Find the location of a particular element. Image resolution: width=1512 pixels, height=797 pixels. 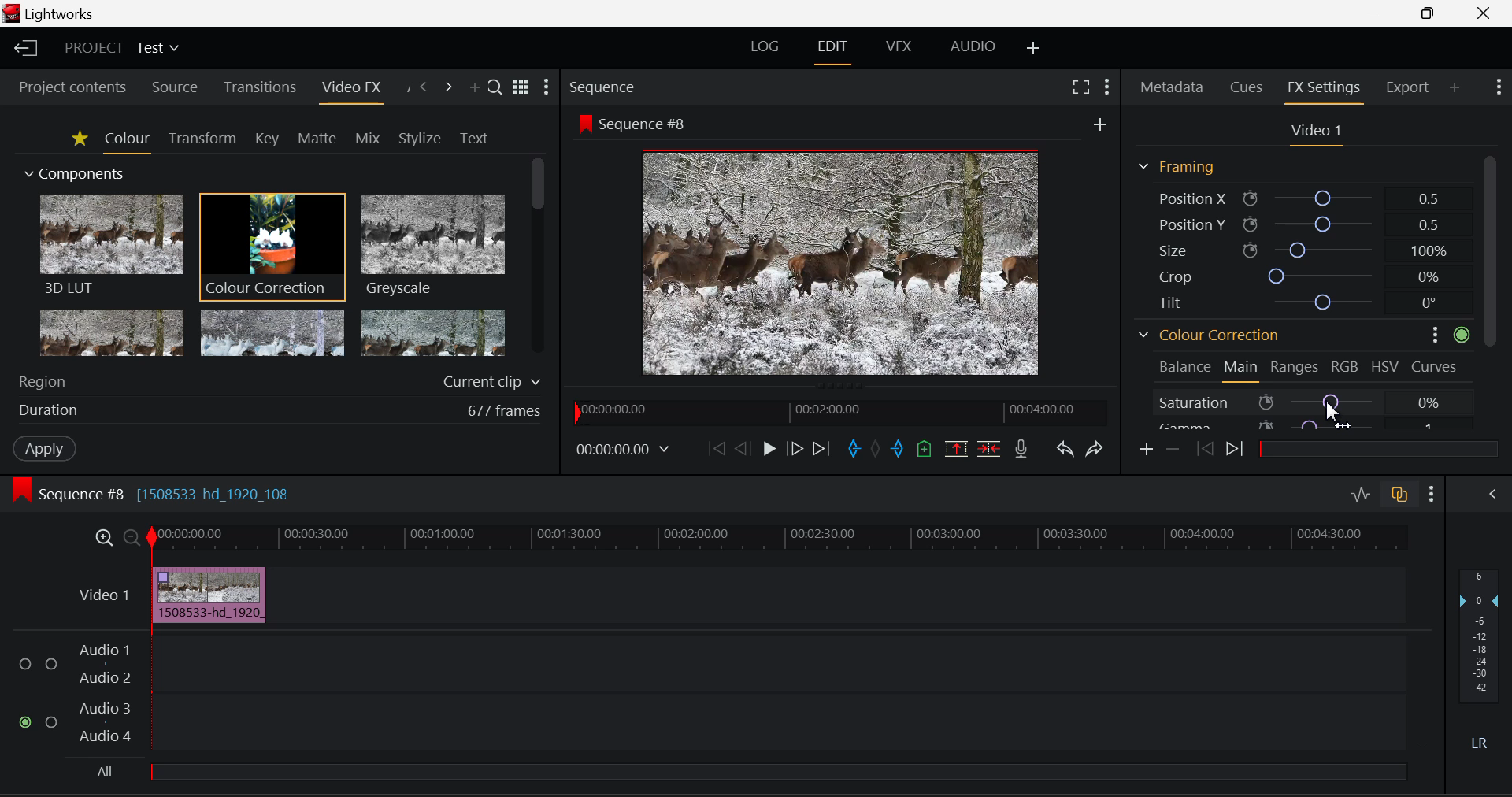

Back to Homepage is located at coordinates (24, 49).